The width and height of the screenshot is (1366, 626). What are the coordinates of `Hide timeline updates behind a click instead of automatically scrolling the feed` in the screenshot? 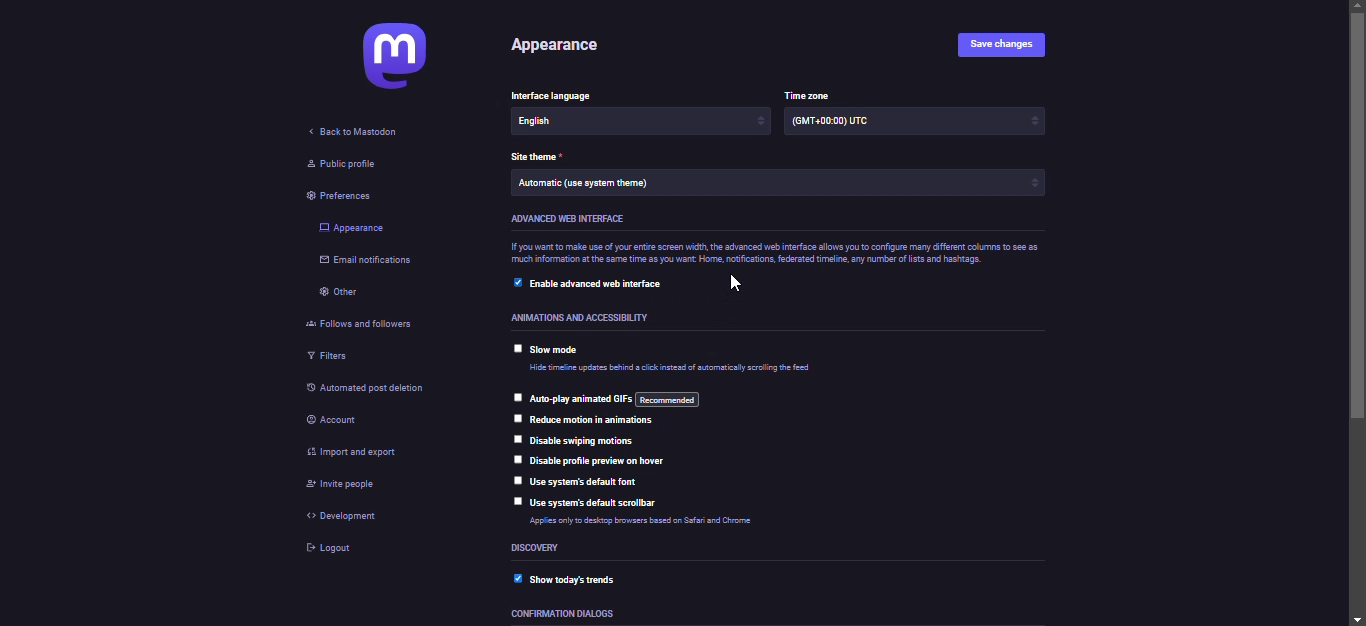 It's located at (670, 368).